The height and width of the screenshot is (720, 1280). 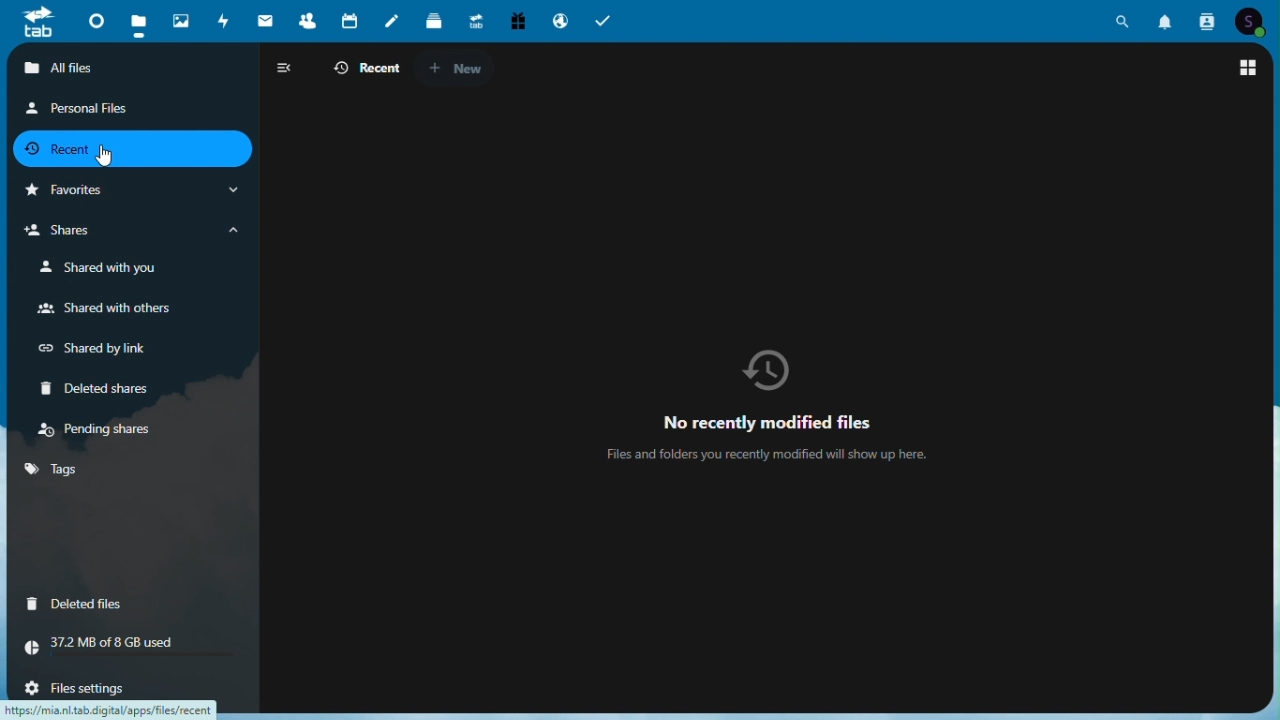 I want to click on calender, so click(x=350, y=21).